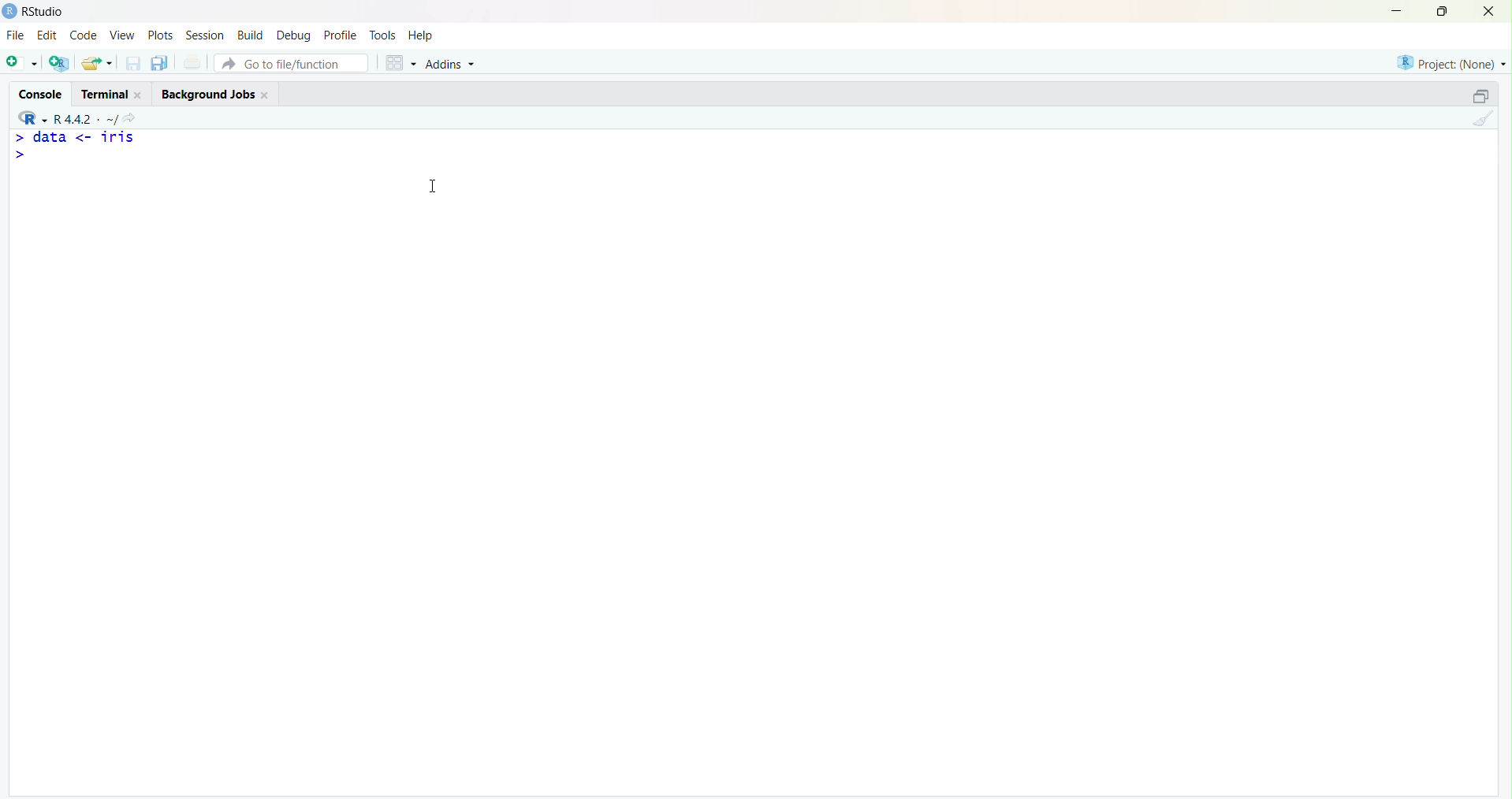 The height and width of the screenshot is (799, 1512). I want to click on File, so click(15, 35).